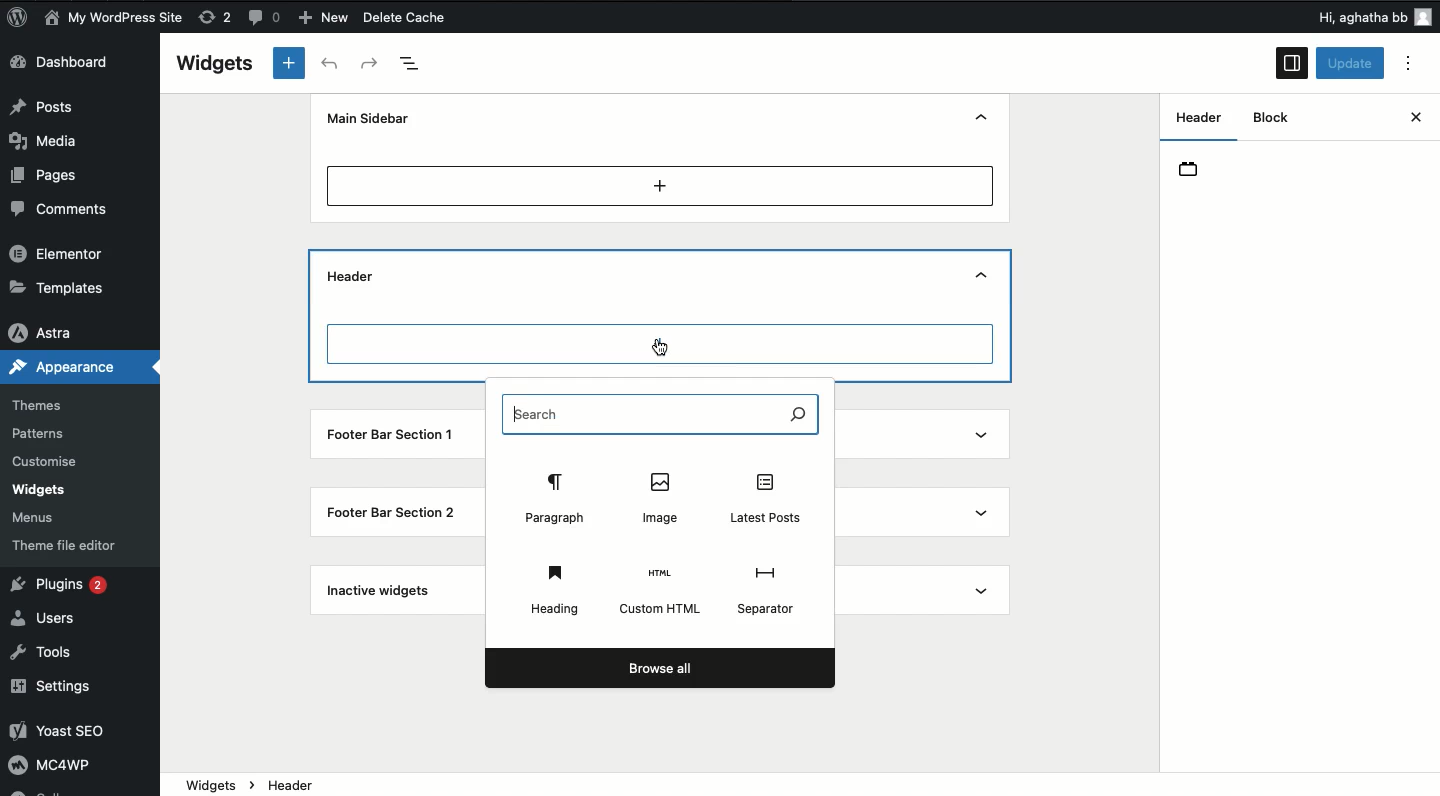 The image size is (1440, 796). I want to click on Image, so click(663, 497).